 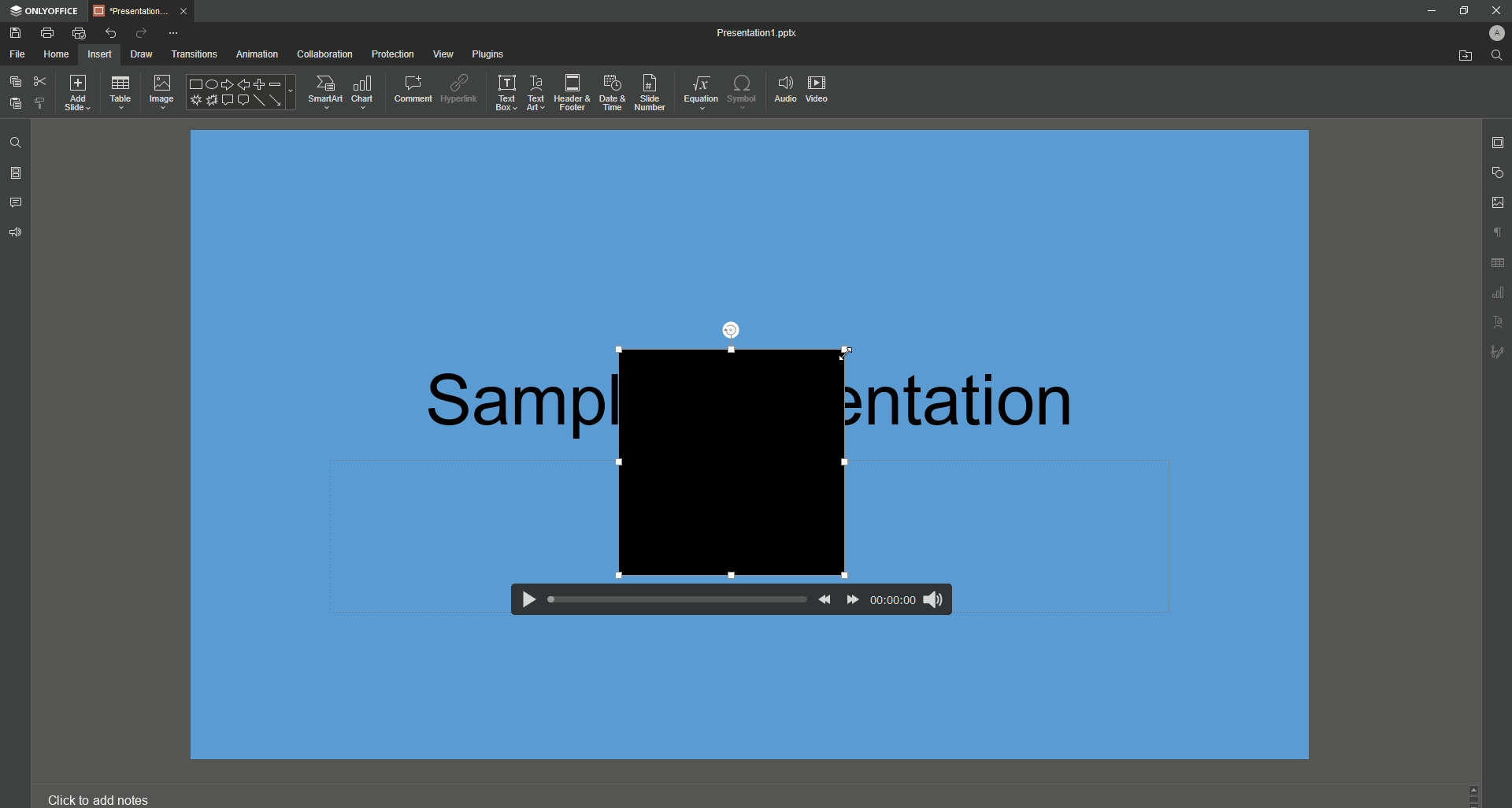 I want to click on Print, so click(x=46, y=32).